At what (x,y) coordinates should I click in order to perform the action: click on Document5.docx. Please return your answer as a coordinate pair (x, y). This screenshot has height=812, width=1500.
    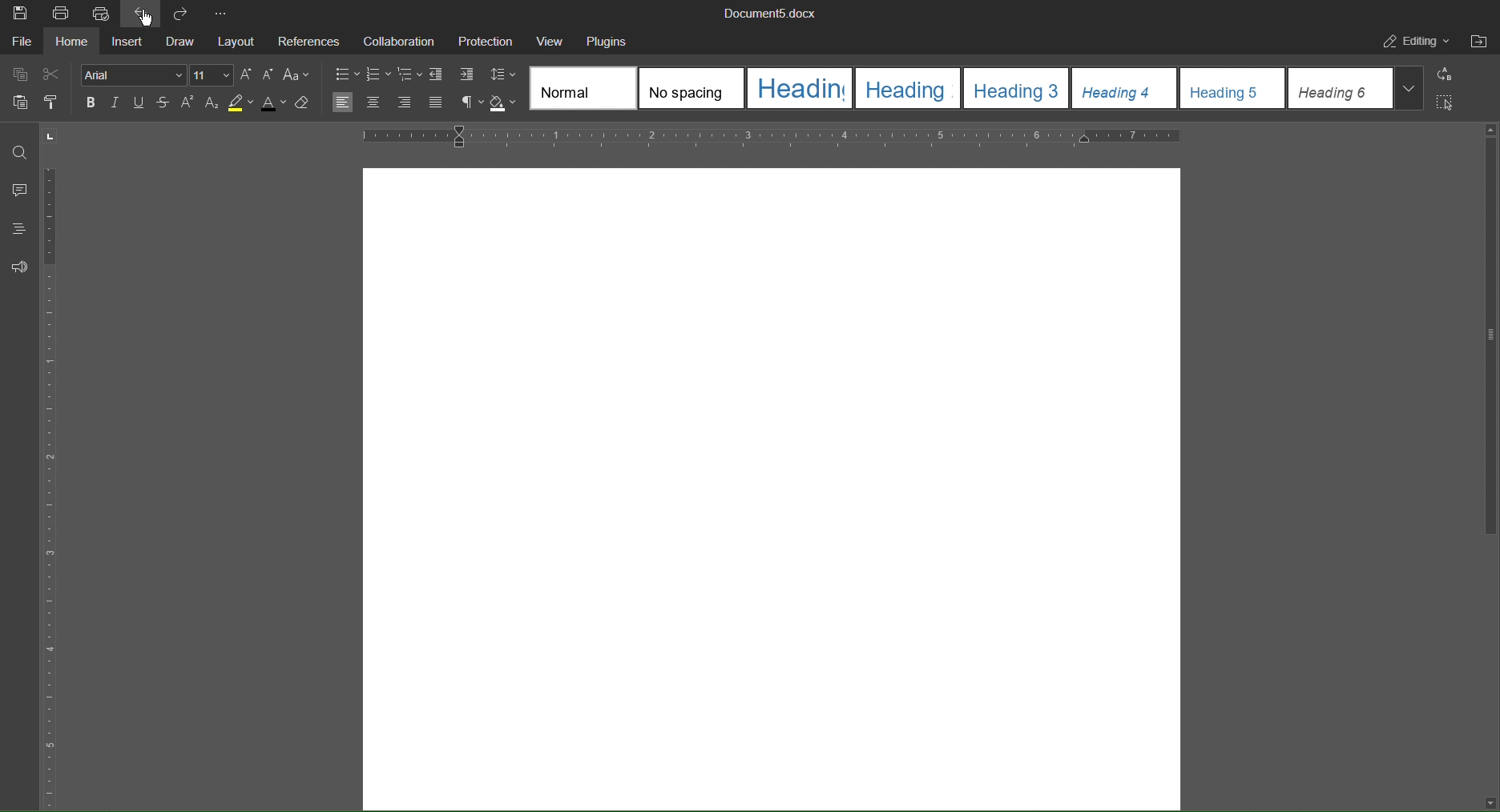
    Looking at the image, I should click on (772, 14).